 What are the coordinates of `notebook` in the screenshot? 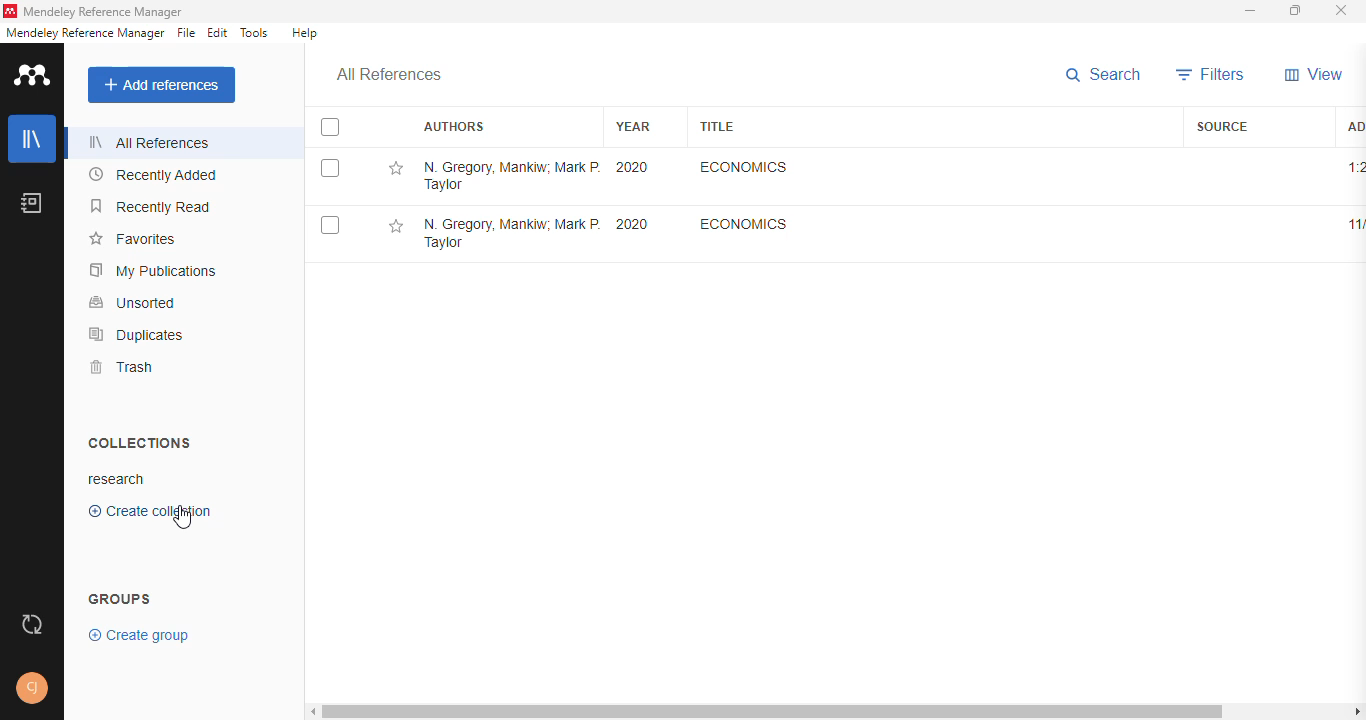 It's located at (32, 202).